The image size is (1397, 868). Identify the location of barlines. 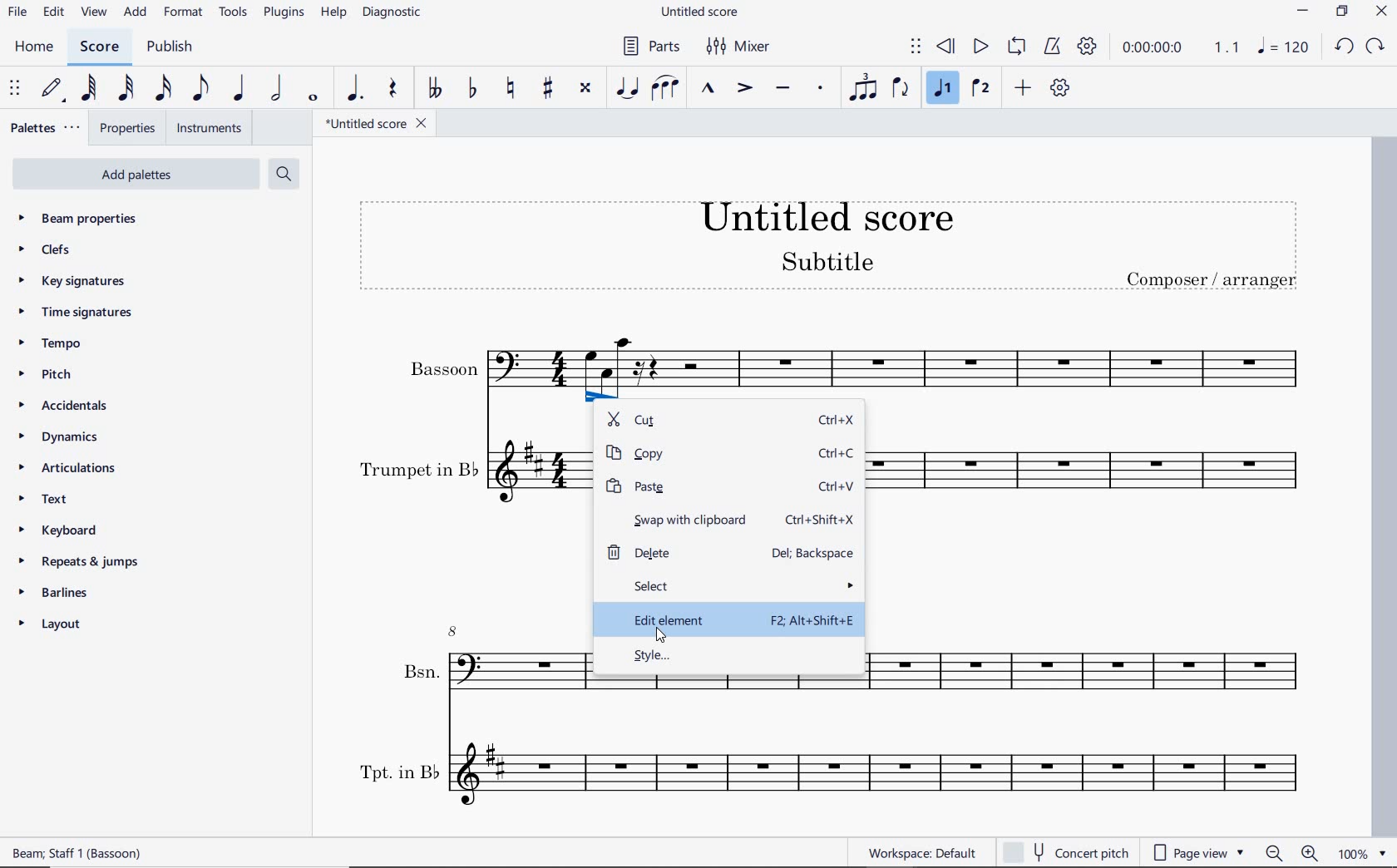
(55, 594).